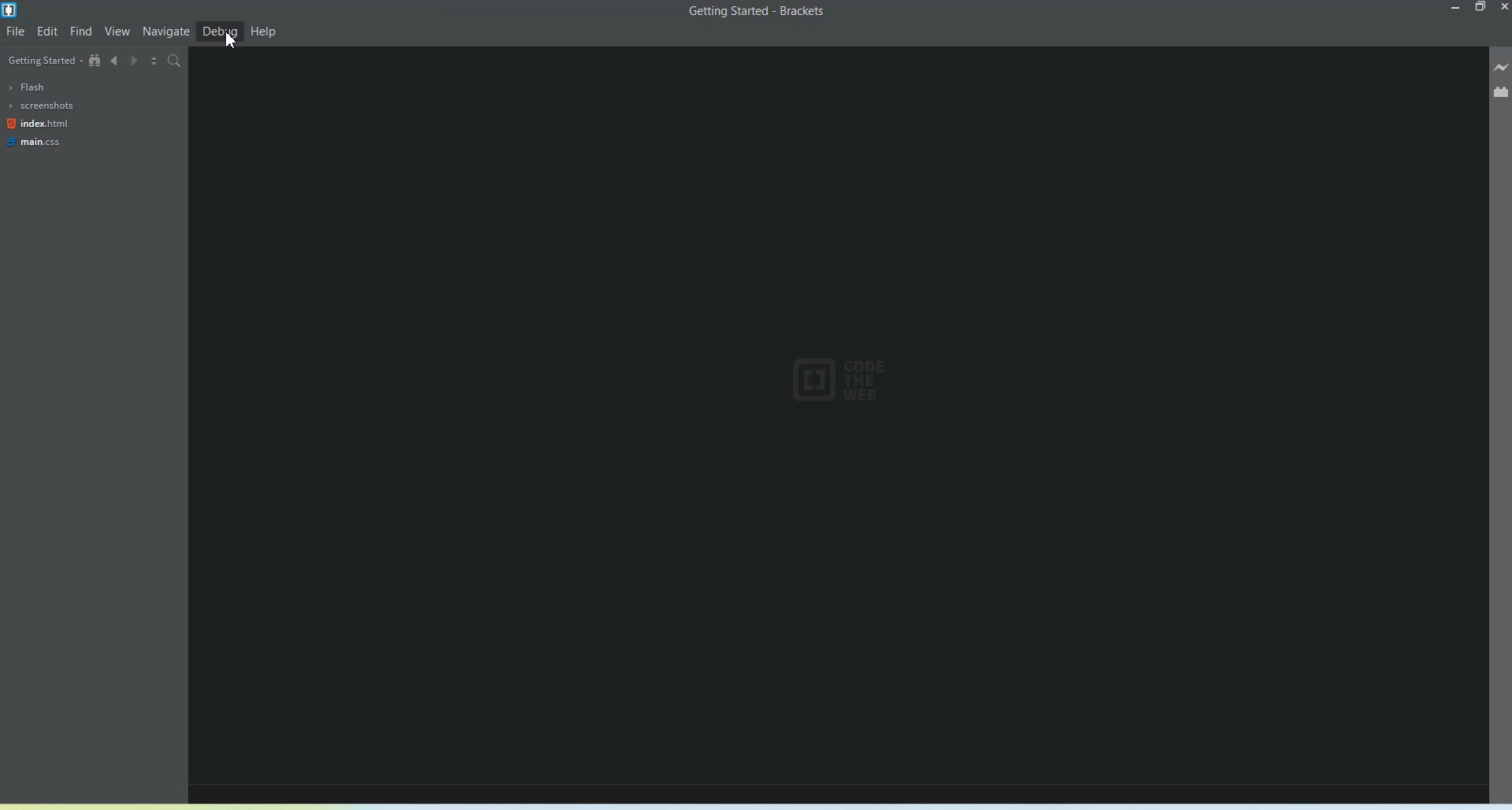 The image size is (1512, 810). Describe the element at coordinates (35, 142) in the screenshot. I see `main.css` at that location.